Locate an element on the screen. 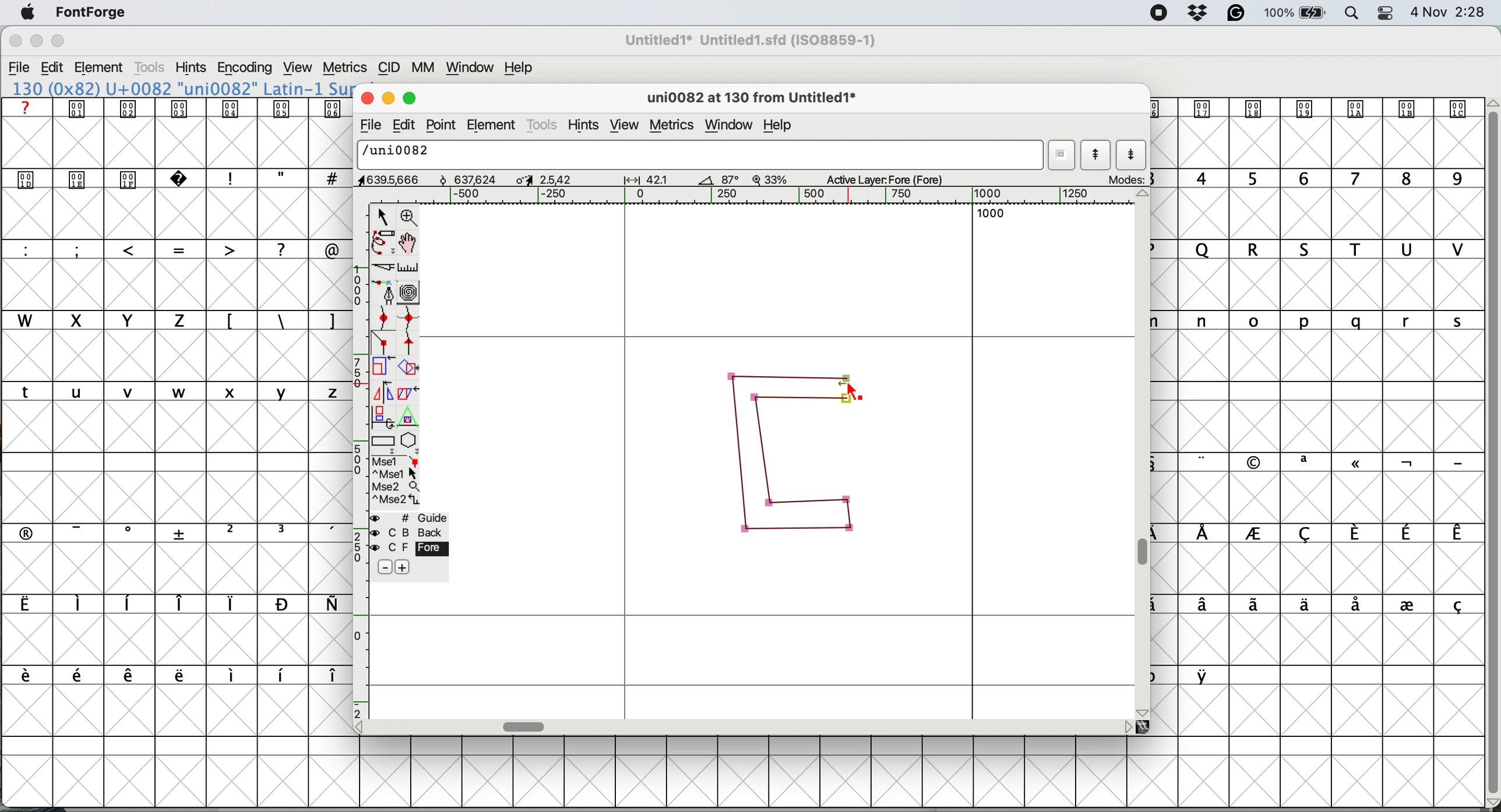 The height and width of the screenshot is (812, 1501). vertical scroll bar is located at coordinates (1491, 448).